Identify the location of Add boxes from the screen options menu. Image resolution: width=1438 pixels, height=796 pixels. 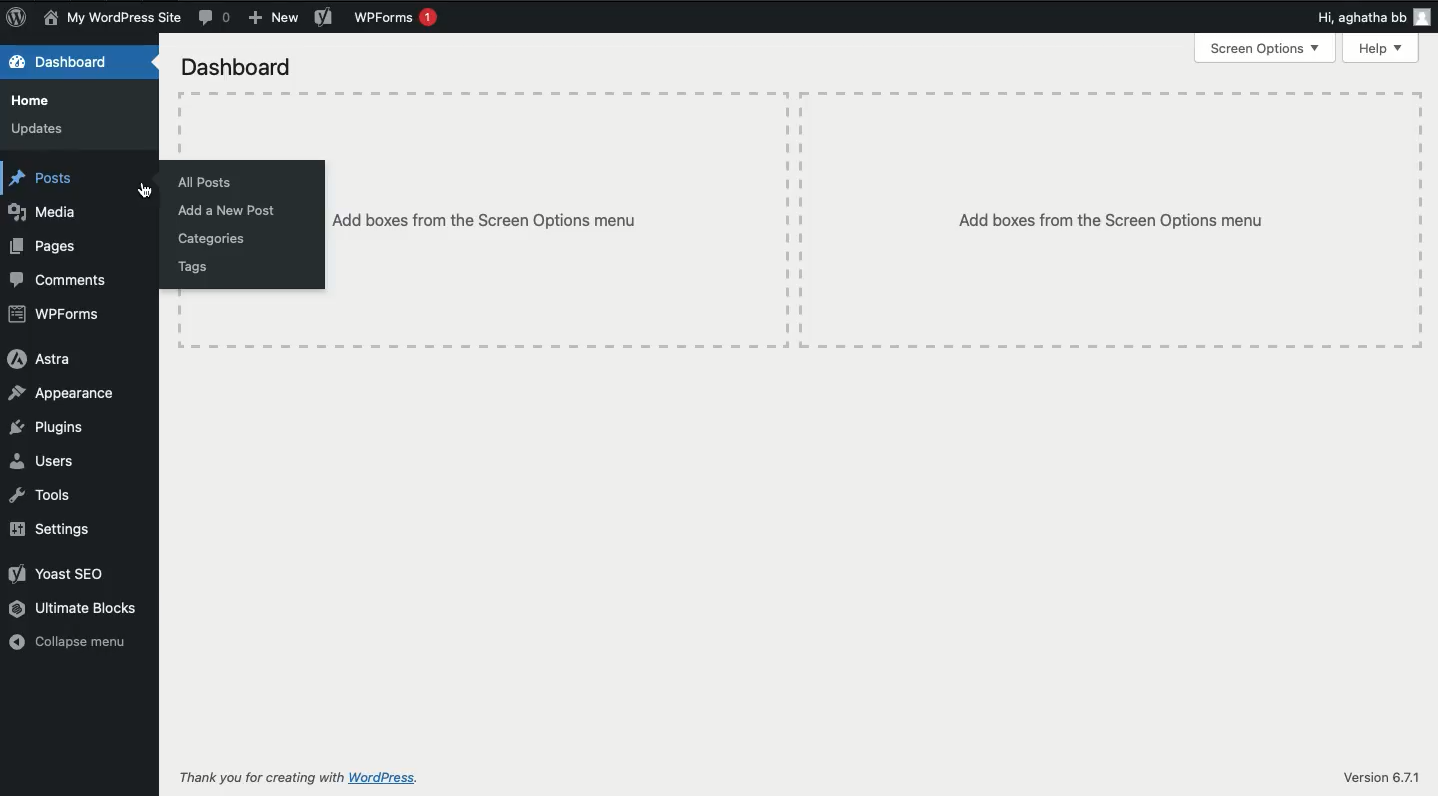
(508, 222).